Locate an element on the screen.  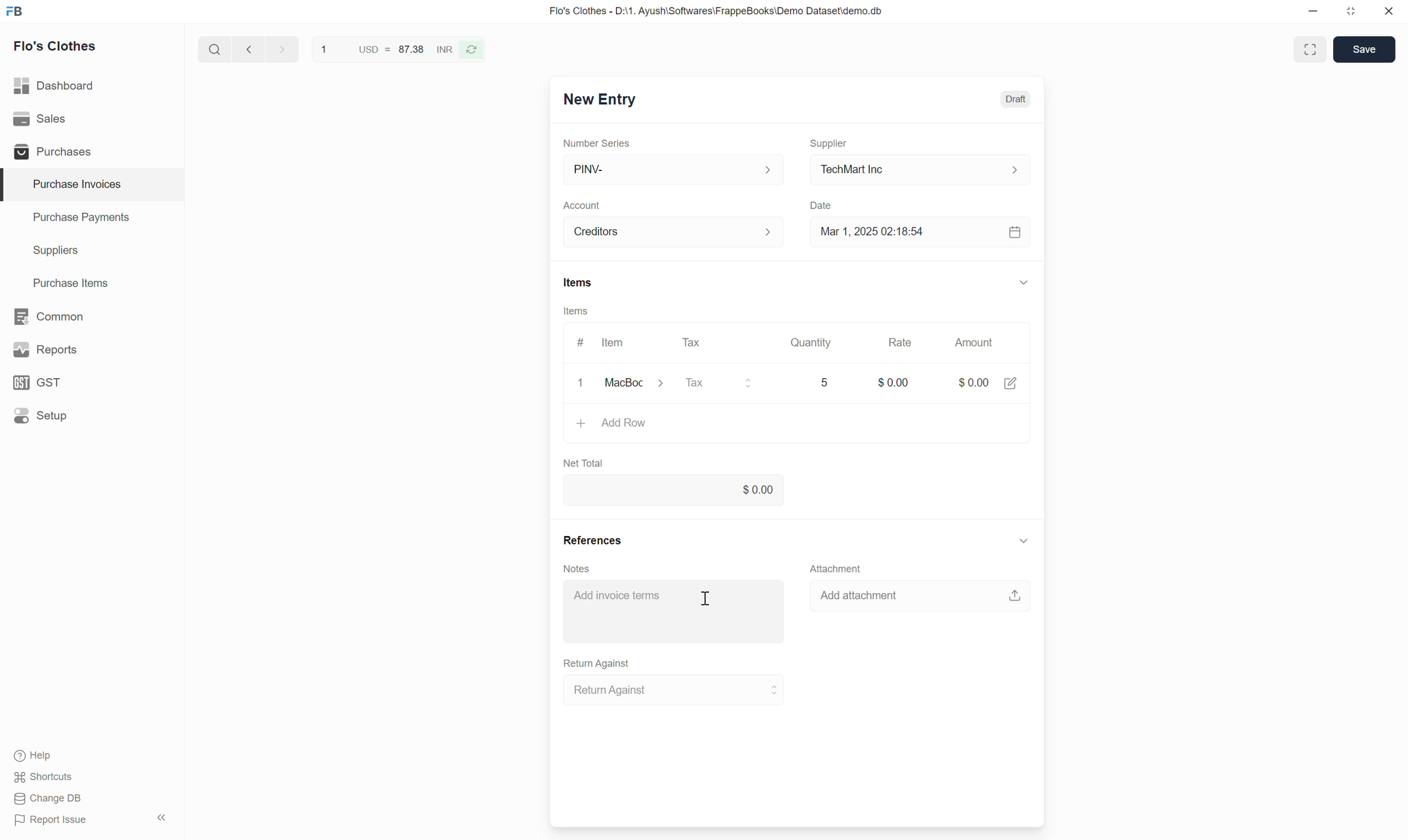
Change DB is located at coordinates (49, 798).